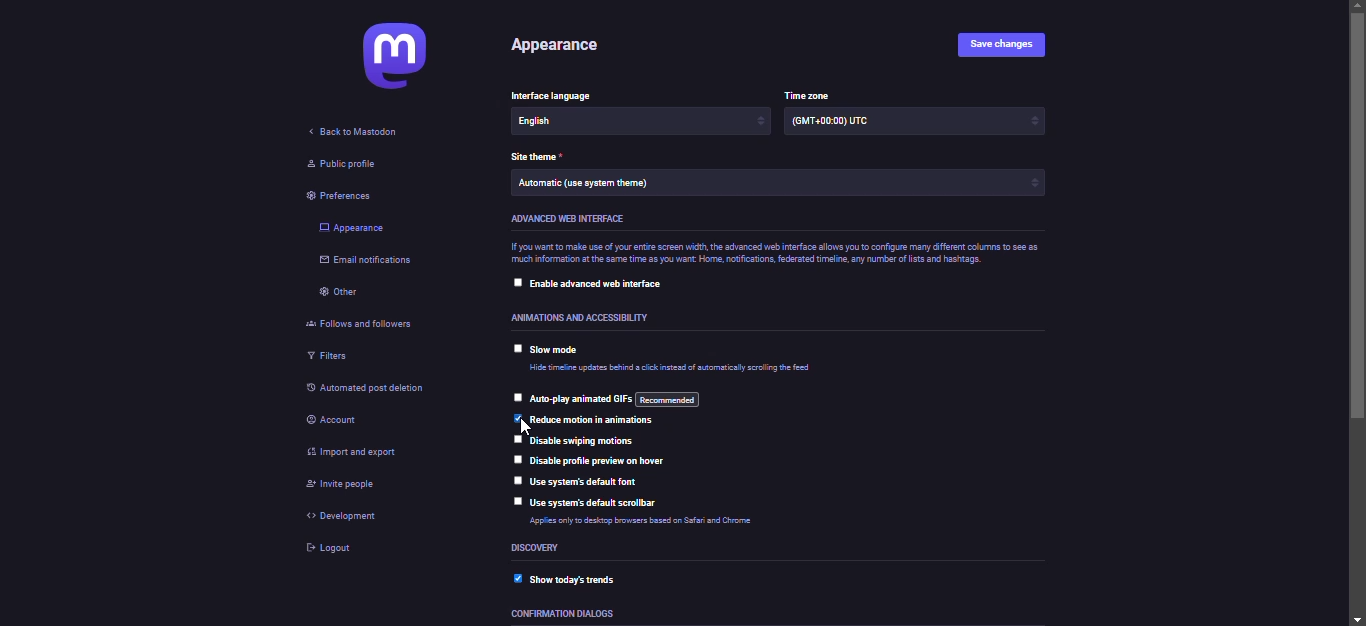  What do you see at coordinates (561, 47) in the screenshot?
I see `appearance` at bounding box center [561, 47].